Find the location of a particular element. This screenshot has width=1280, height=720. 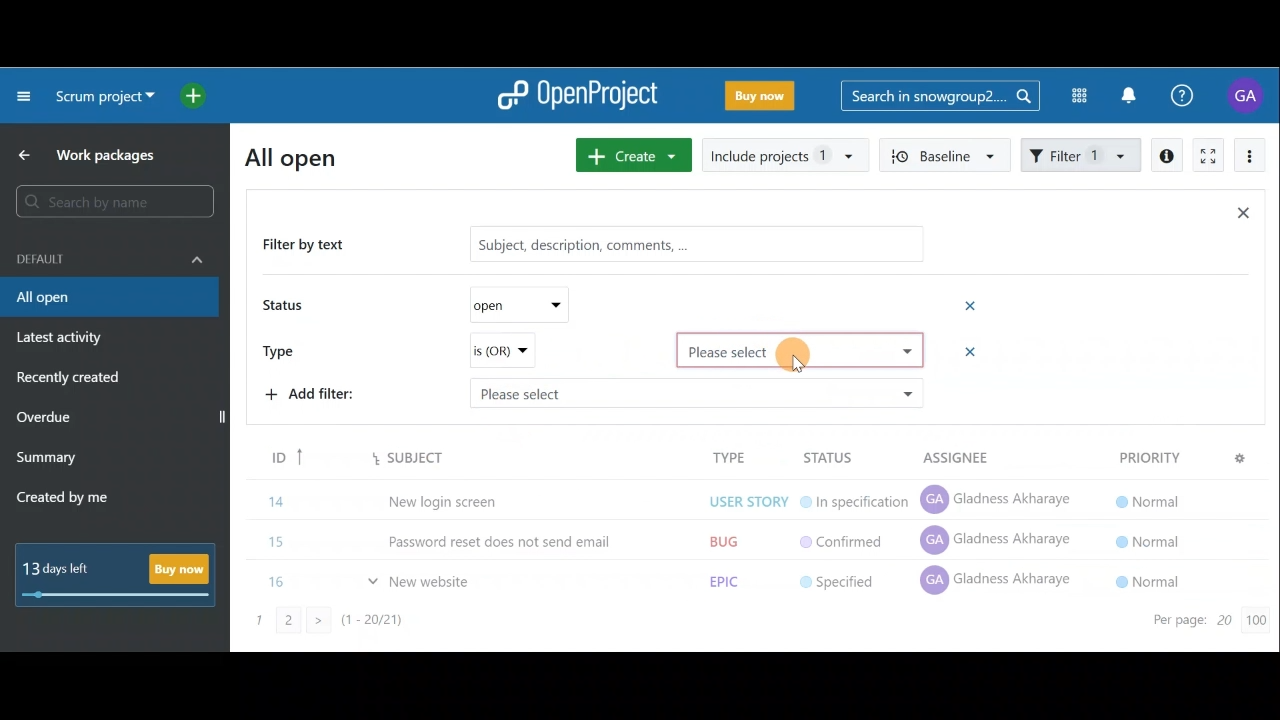

Page count is located at coordinates (1205, 622).